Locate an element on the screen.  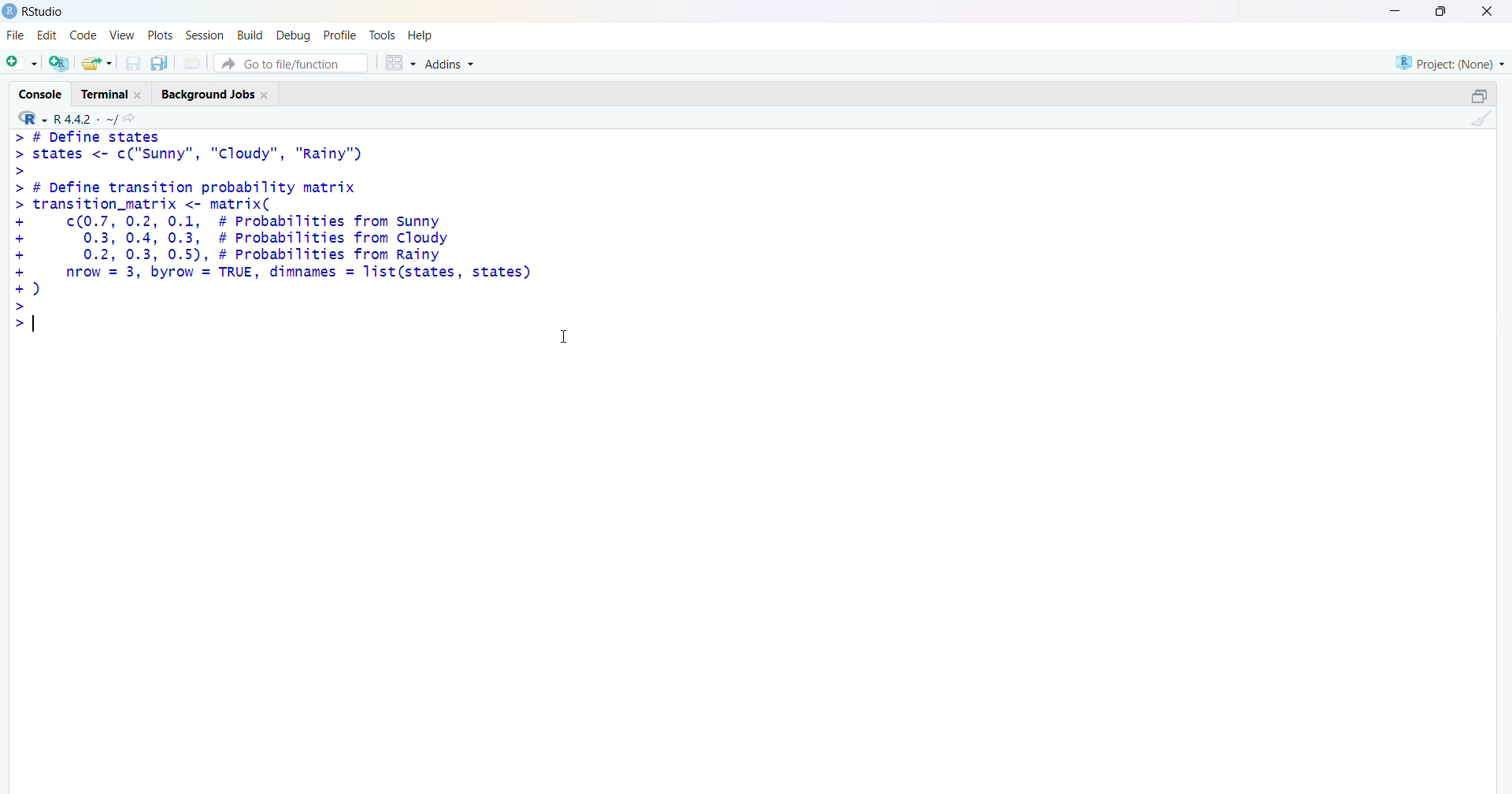
rstudio is located at coordinates (35, 11).